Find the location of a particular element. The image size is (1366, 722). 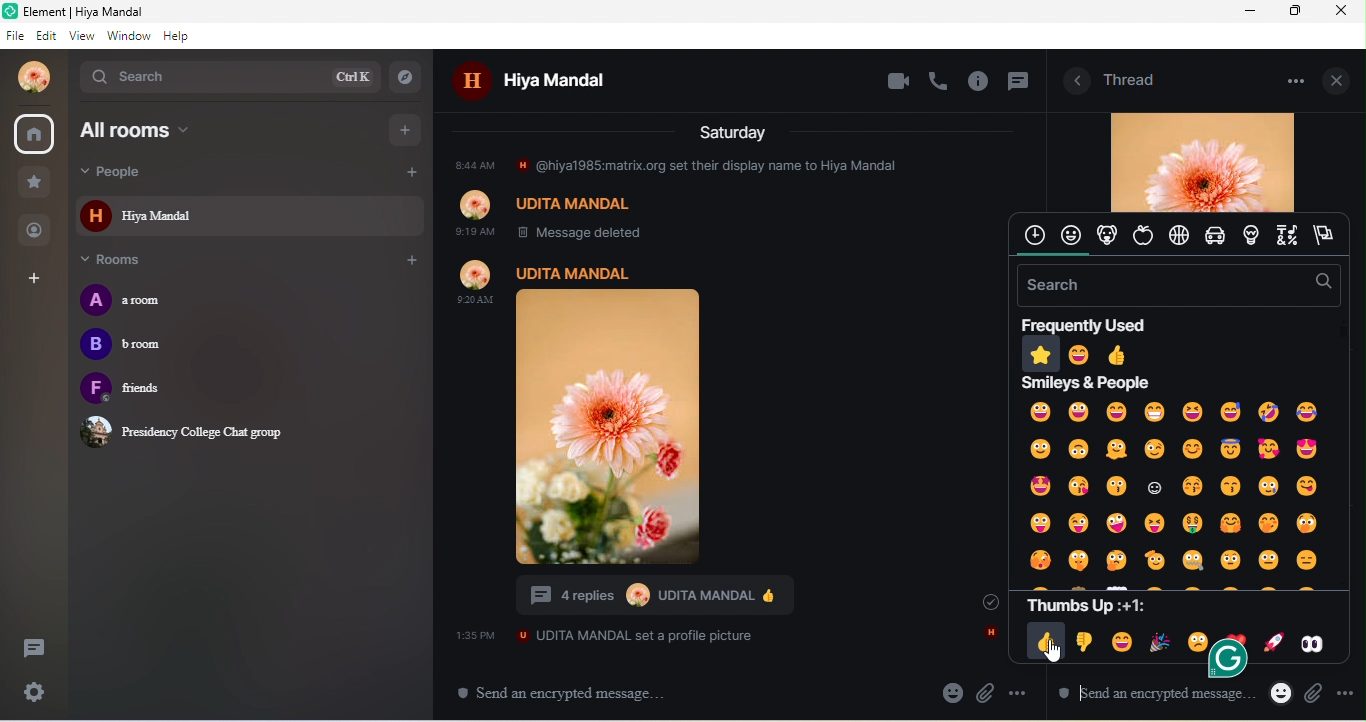

attachment is located at coordinates (987, 693).